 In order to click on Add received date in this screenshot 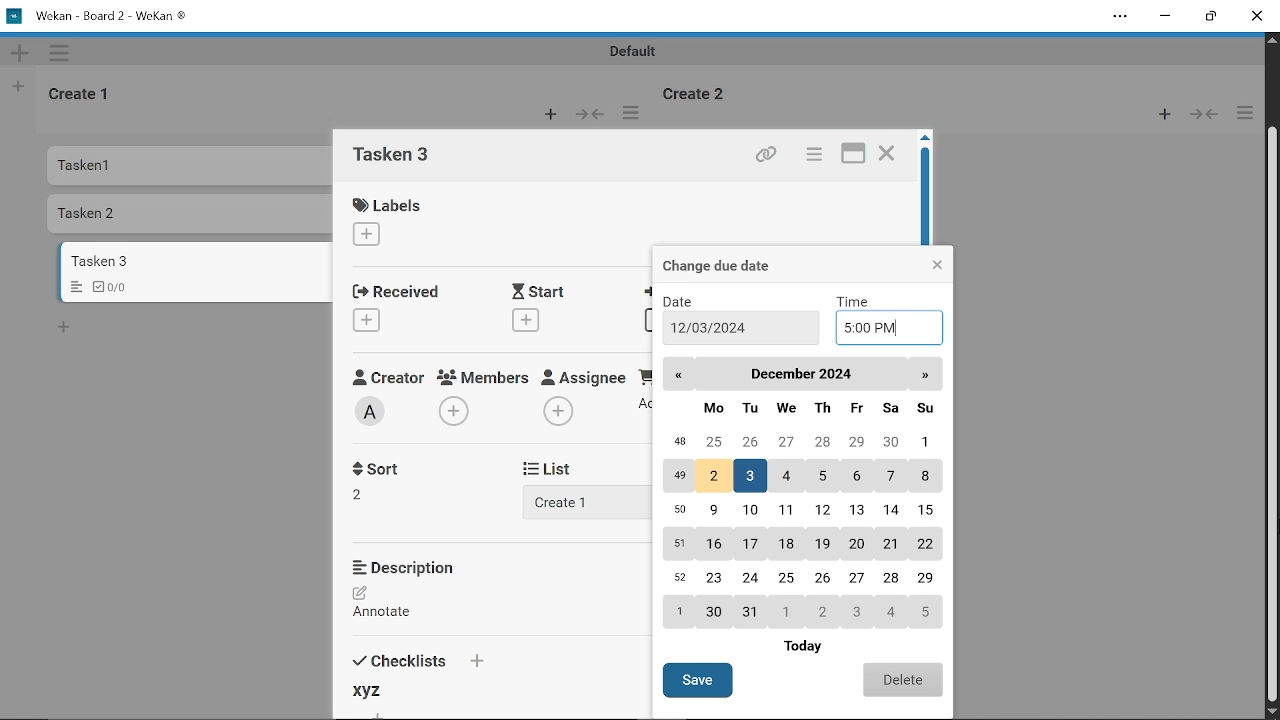, I will do `click(368, 319)`.